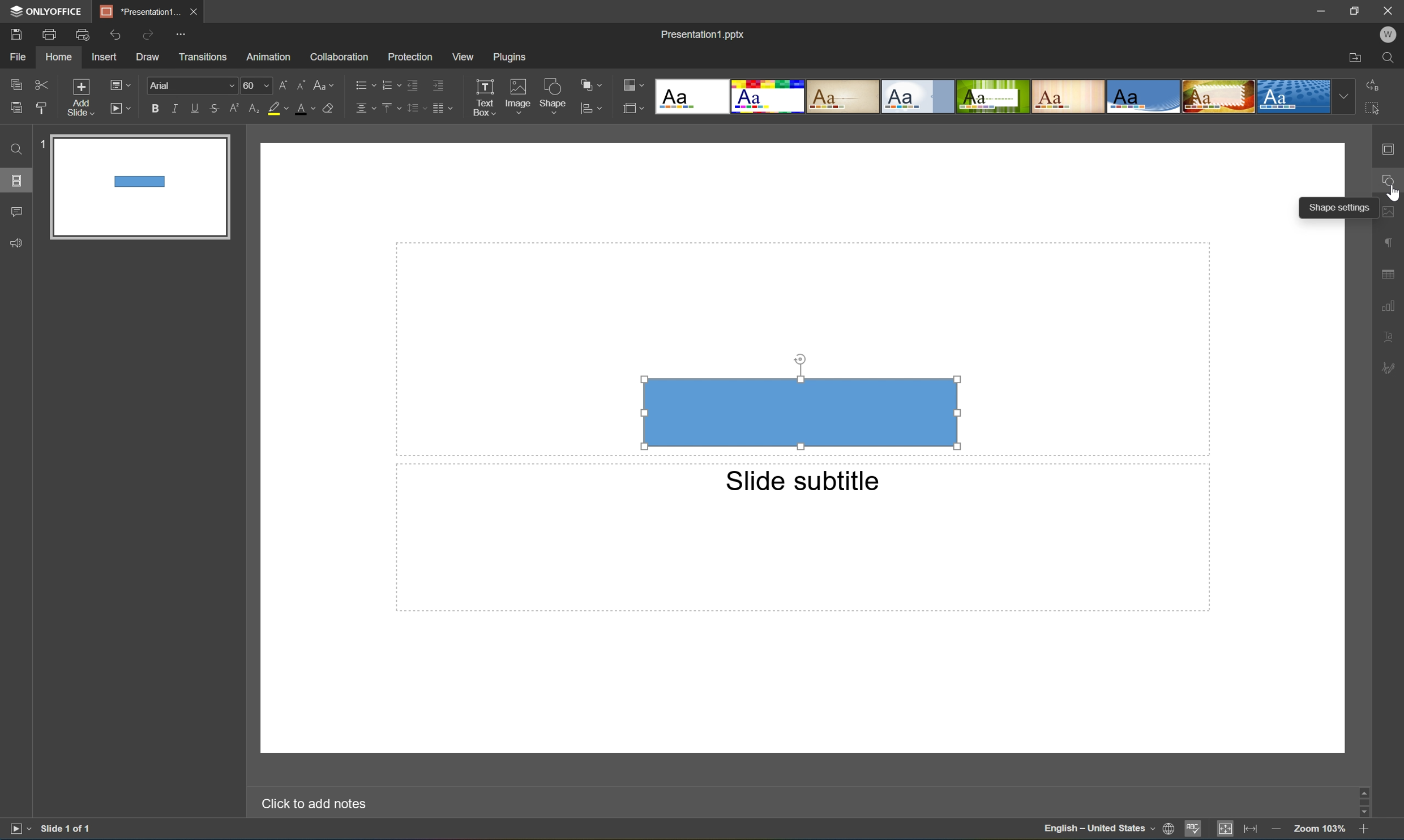  What do you see at coordinates (362, 84) in the screenshot?
I see `Bullets` at bounding box center [362, 84].